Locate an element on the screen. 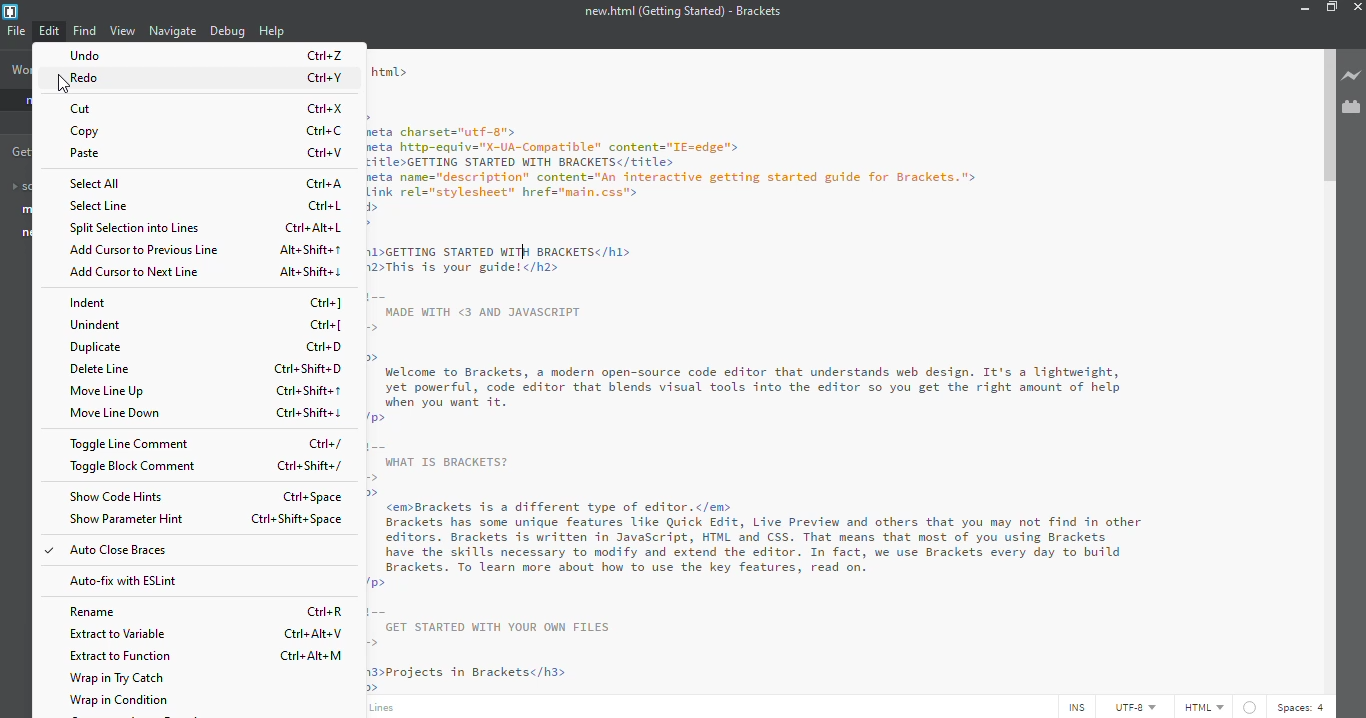 The height and width of the screenshot is (718, 1366). ctrl+alt+l is located at coordinates (319, 229).